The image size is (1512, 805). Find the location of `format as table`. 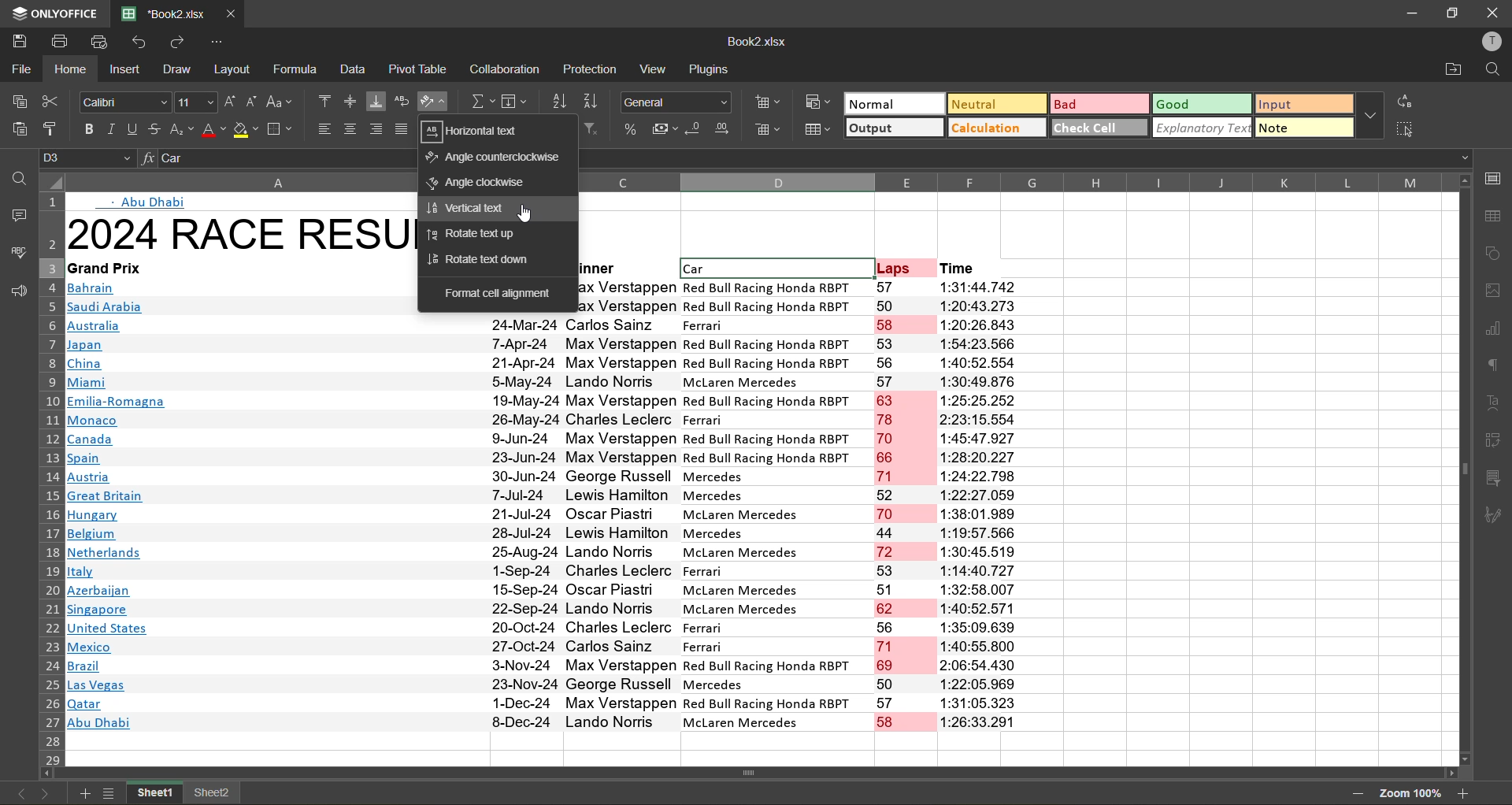

format as table is located at coordinates (818, 130).